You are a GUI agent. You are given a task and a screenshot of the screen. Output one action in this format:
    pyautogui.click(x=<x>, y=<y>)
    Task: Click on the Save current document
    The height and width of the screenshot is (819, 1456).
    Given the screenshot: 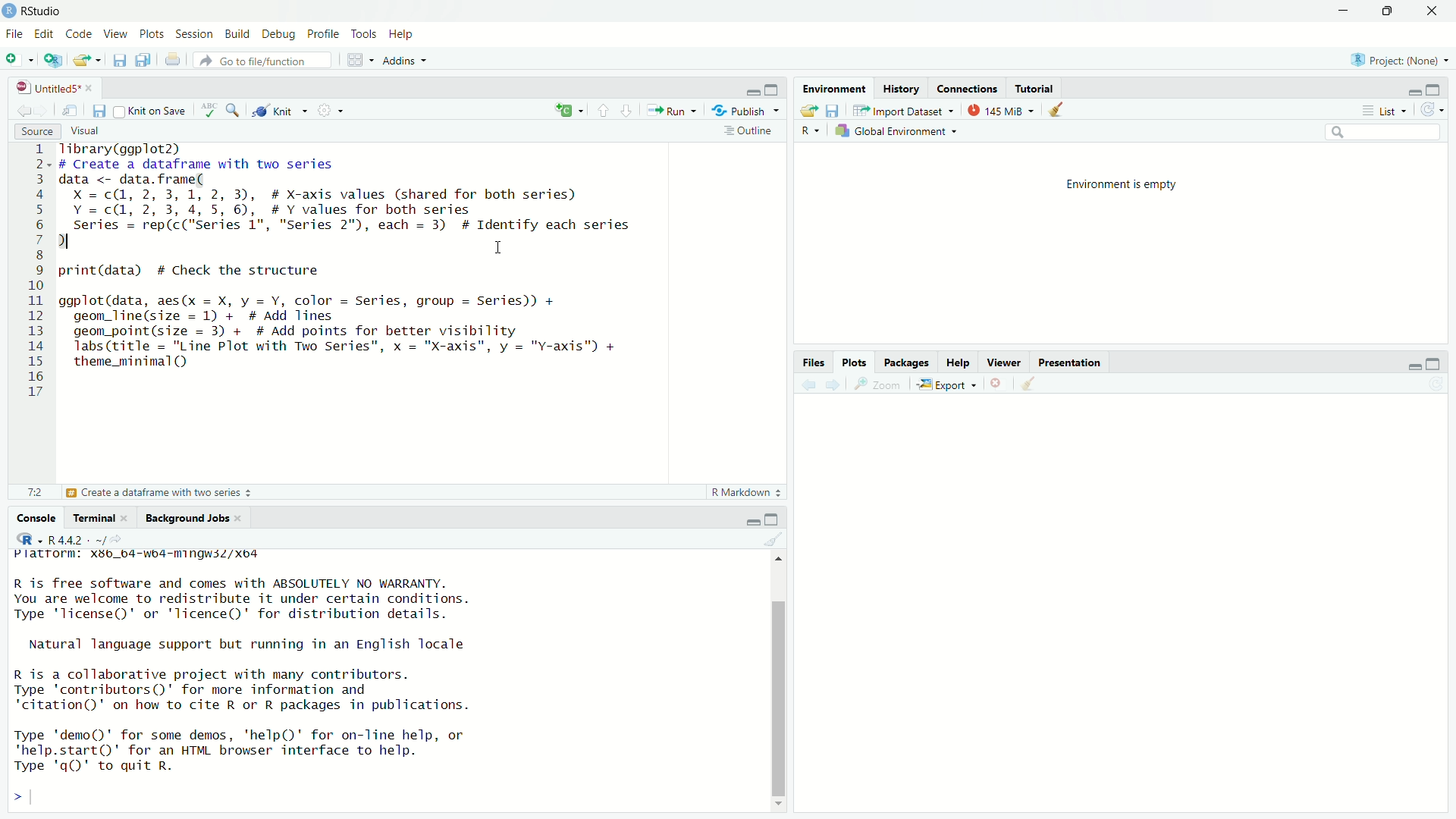 What is the action you would take?
    pyautogui.click(x=122, y=61)
    